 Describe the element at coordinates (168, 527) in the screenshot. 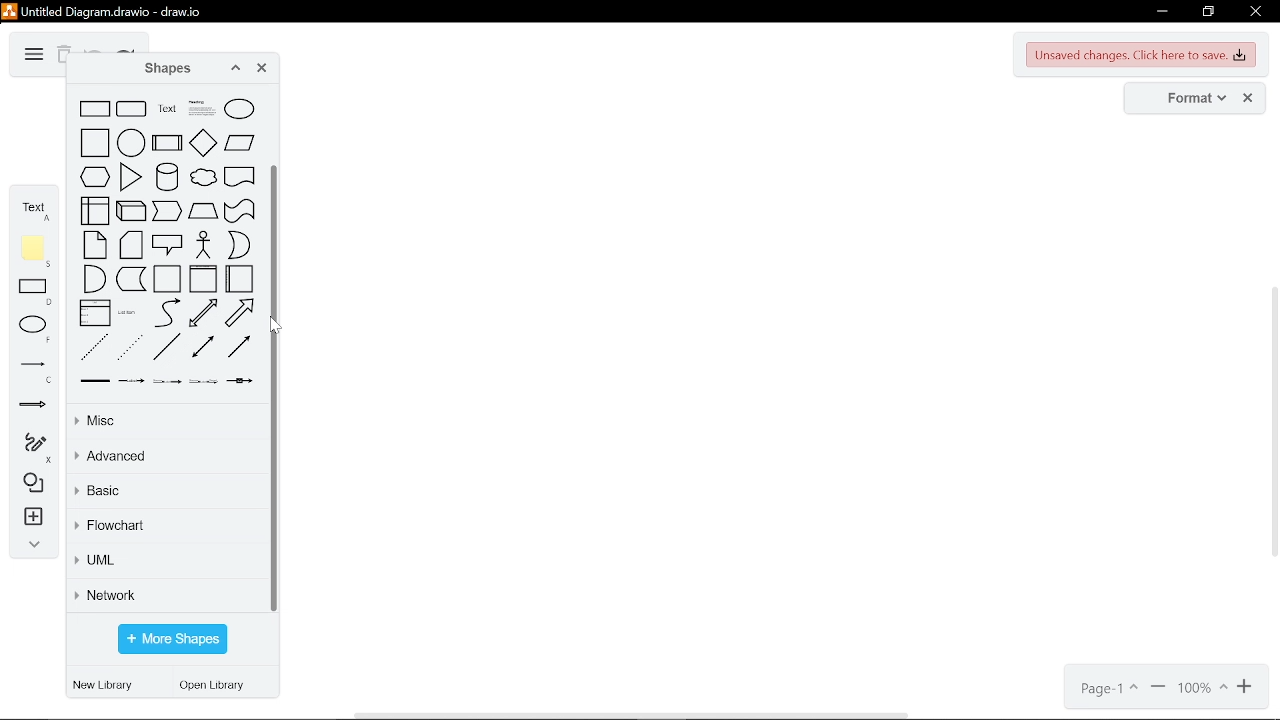

I see `flowchart` at that location.